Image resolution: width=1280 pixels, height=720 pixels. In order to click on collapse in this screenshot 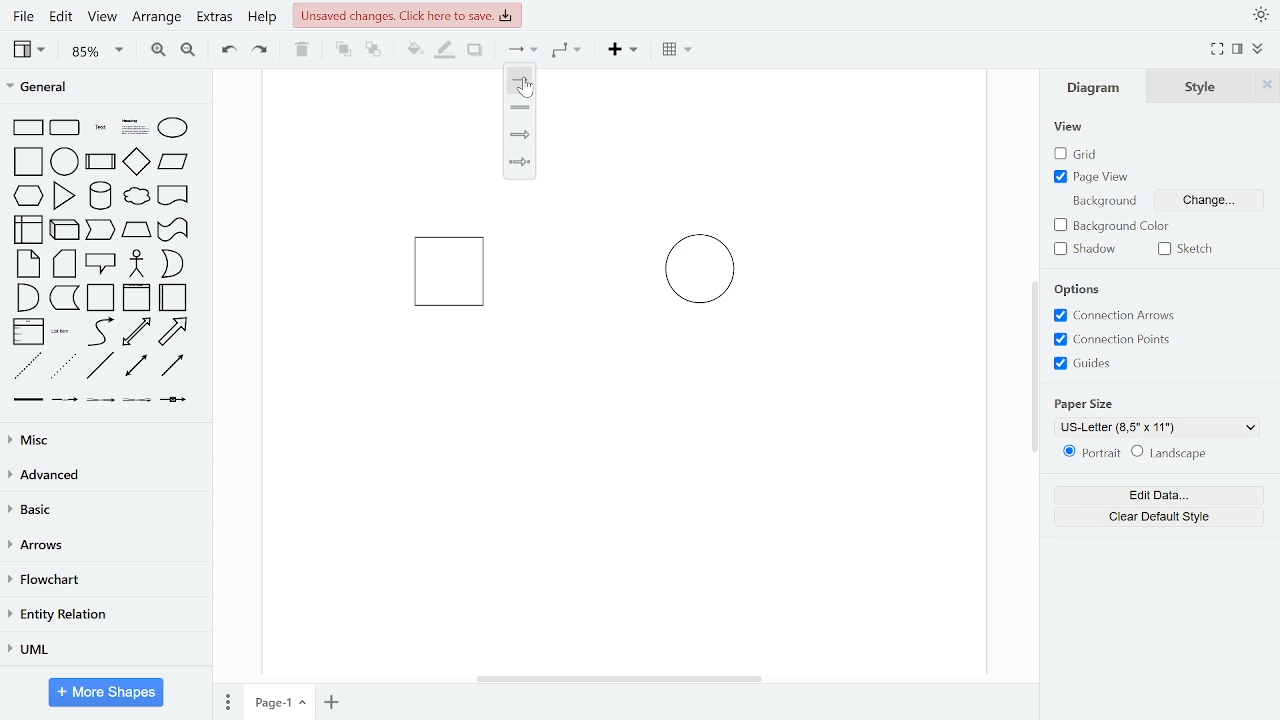, I will do `click(1260, 50)`.